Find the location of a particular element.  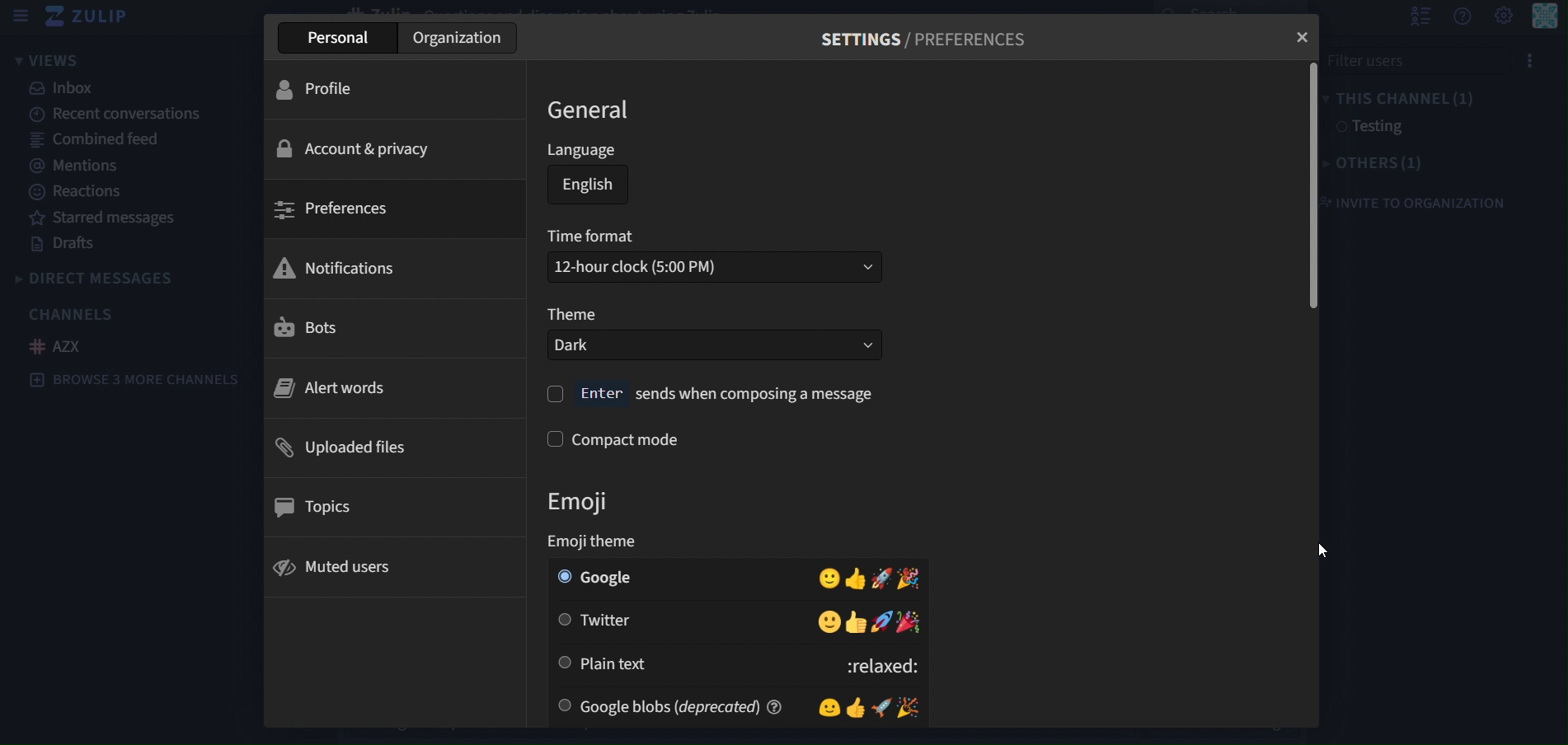

notifications is located at coordinates (337, 268).